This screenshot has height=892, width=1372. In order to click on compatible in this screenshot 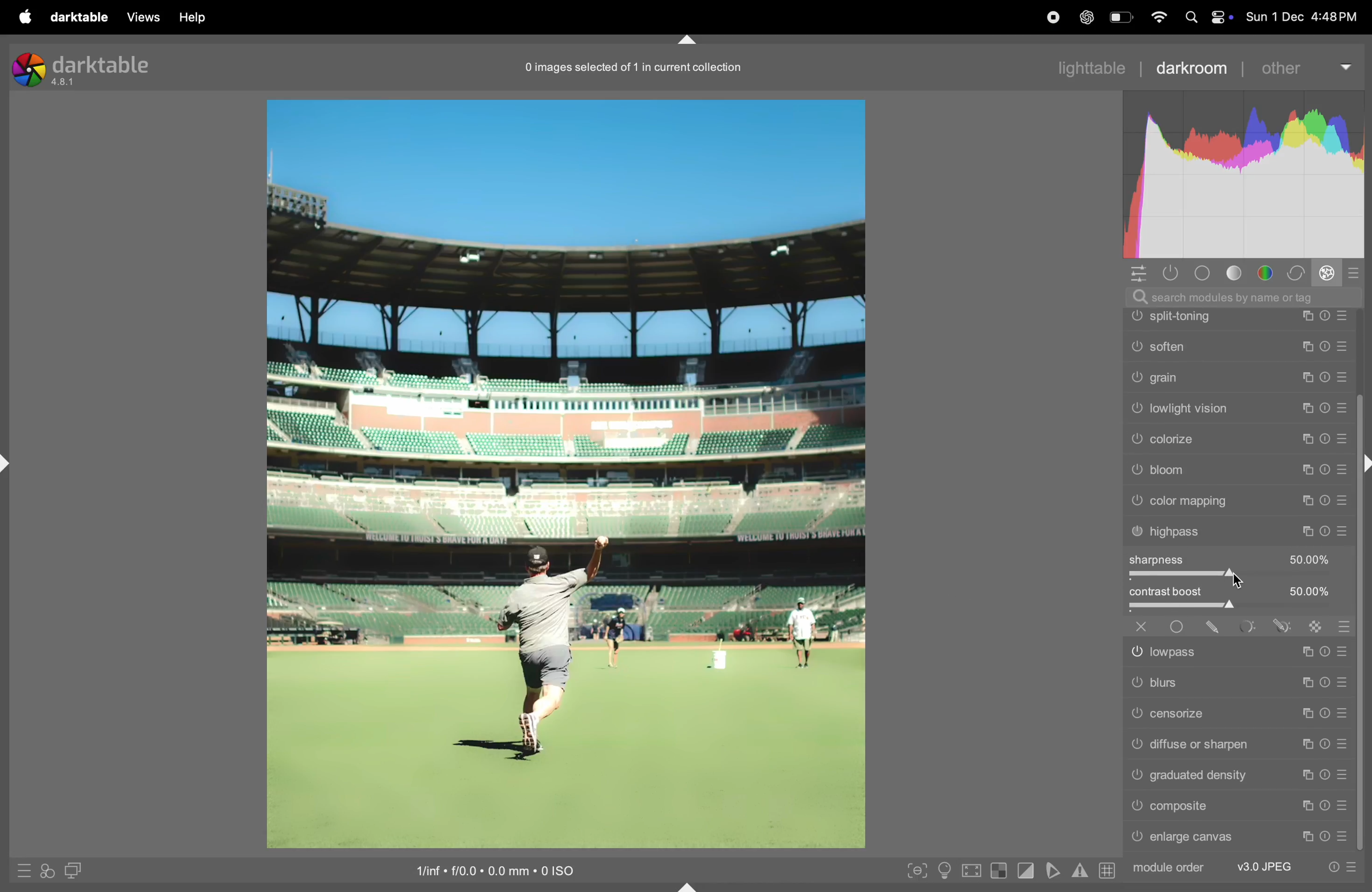, I will do `click(1238, 807)`.